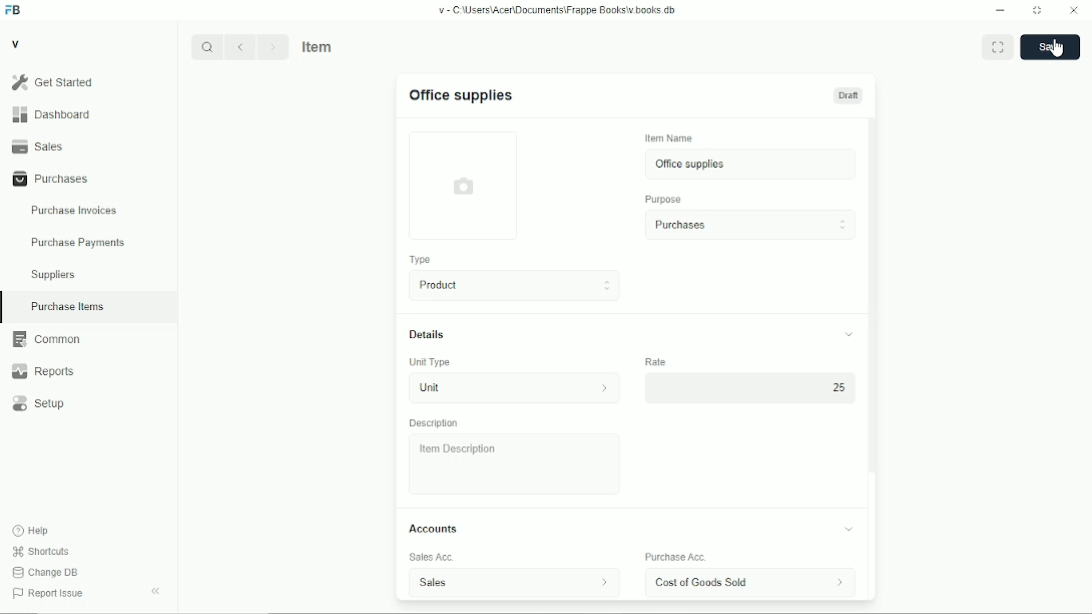  I want to click on rate, so click(655, 361).